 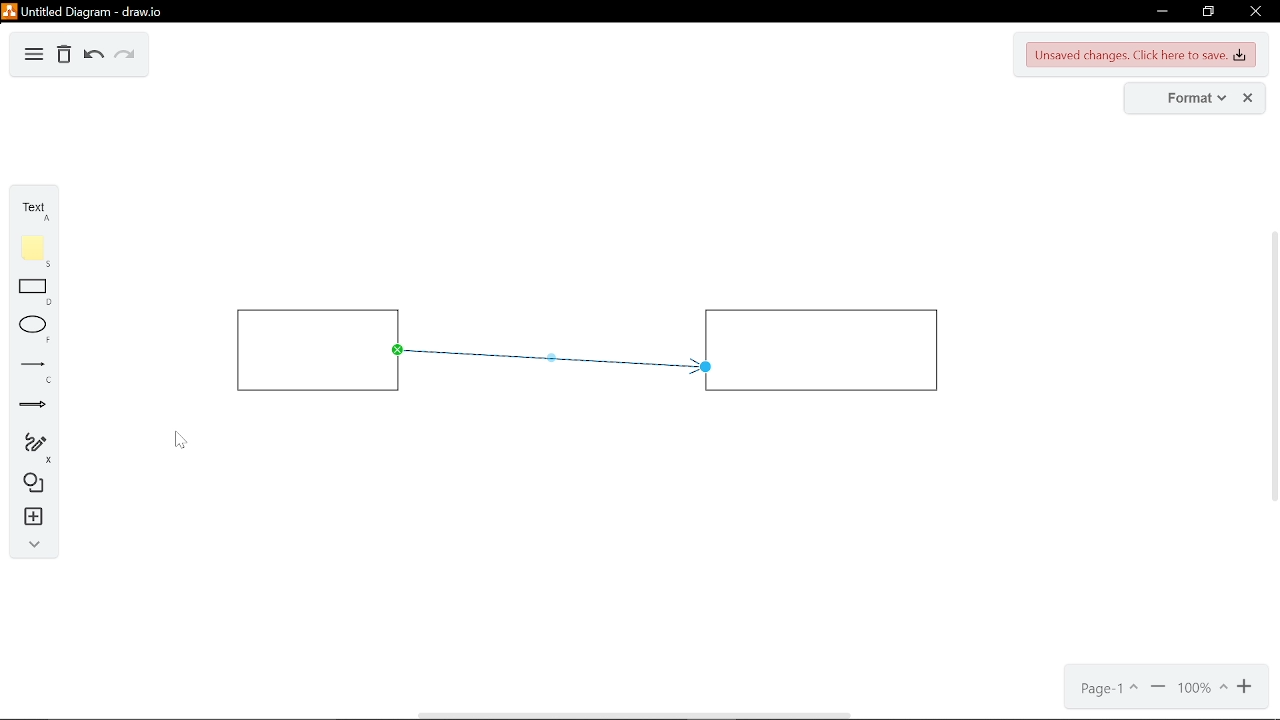 What do you see at coordinates (65, 55) in the screenshot?
I see `Delete` at bounding box center [65, 55].